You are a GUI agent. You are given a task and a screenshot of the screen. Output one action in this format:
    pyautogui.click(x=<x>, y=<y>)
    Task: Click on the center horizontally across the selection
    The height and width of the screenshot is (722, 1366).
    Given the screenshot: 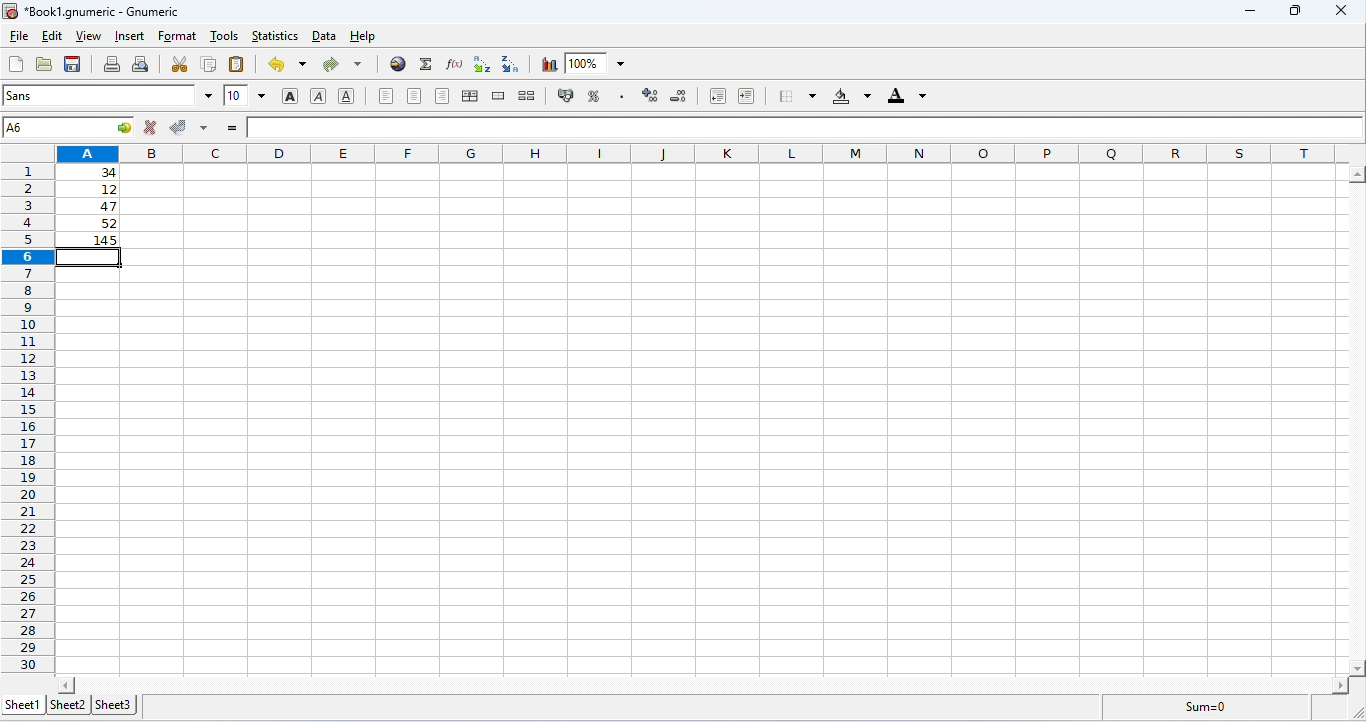 What is the action you would take?
    pyautogui.click(x=470, y=96)
    